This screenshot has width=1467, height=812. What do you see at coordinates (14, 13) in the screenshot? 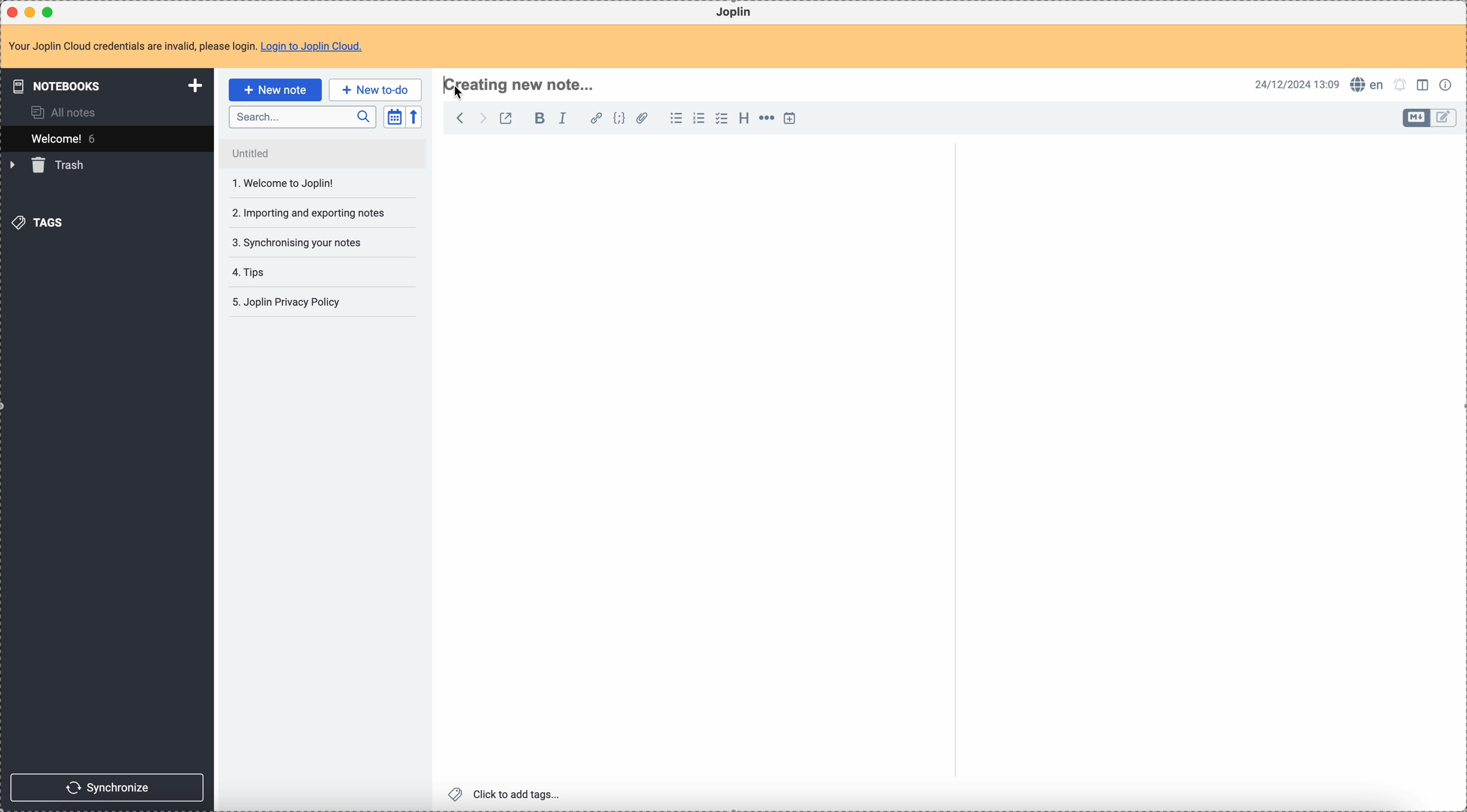
I see `close` at bounding box center [14, 13].